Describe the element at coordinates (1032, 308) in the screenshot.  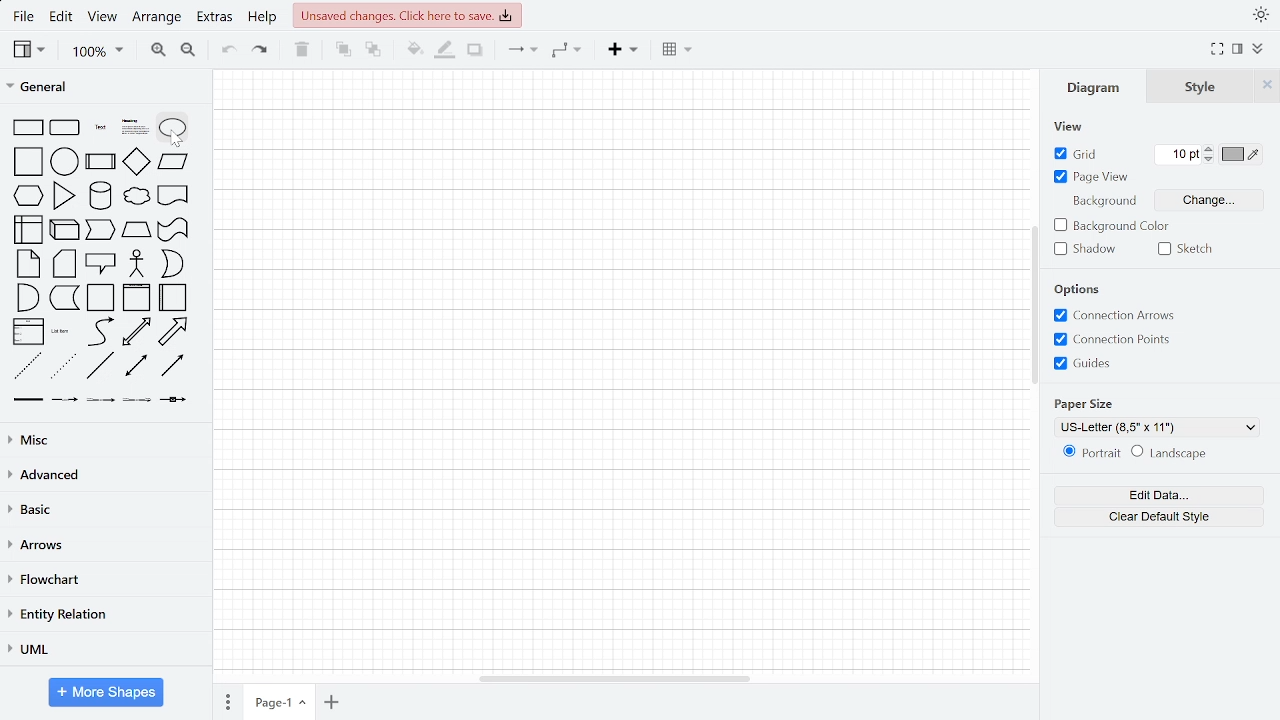
I see `Vertical scrollbar` at that location.